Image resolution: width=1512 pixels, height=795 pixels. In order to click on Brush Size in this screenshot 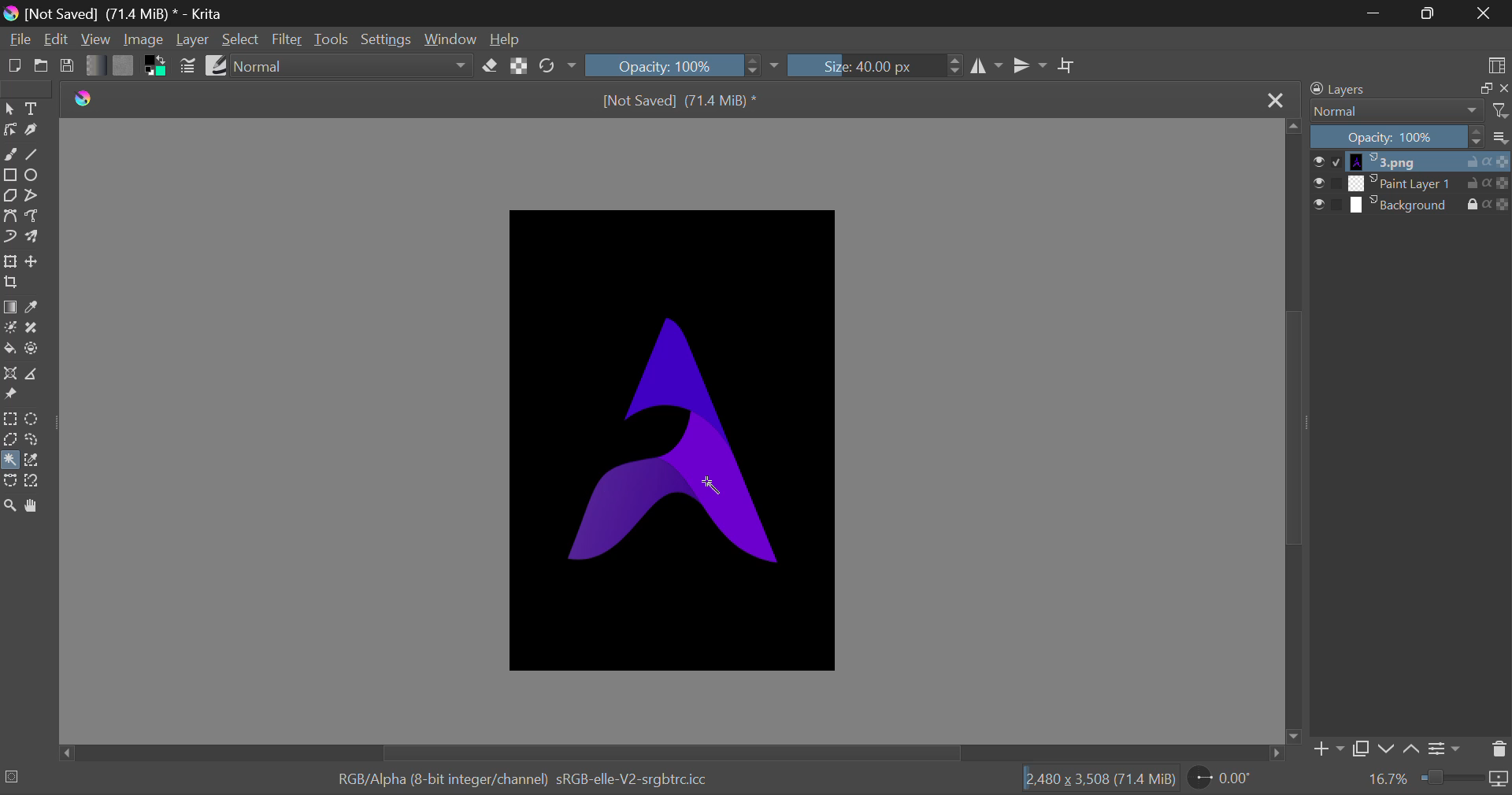, I will do `click(875, 66)`.